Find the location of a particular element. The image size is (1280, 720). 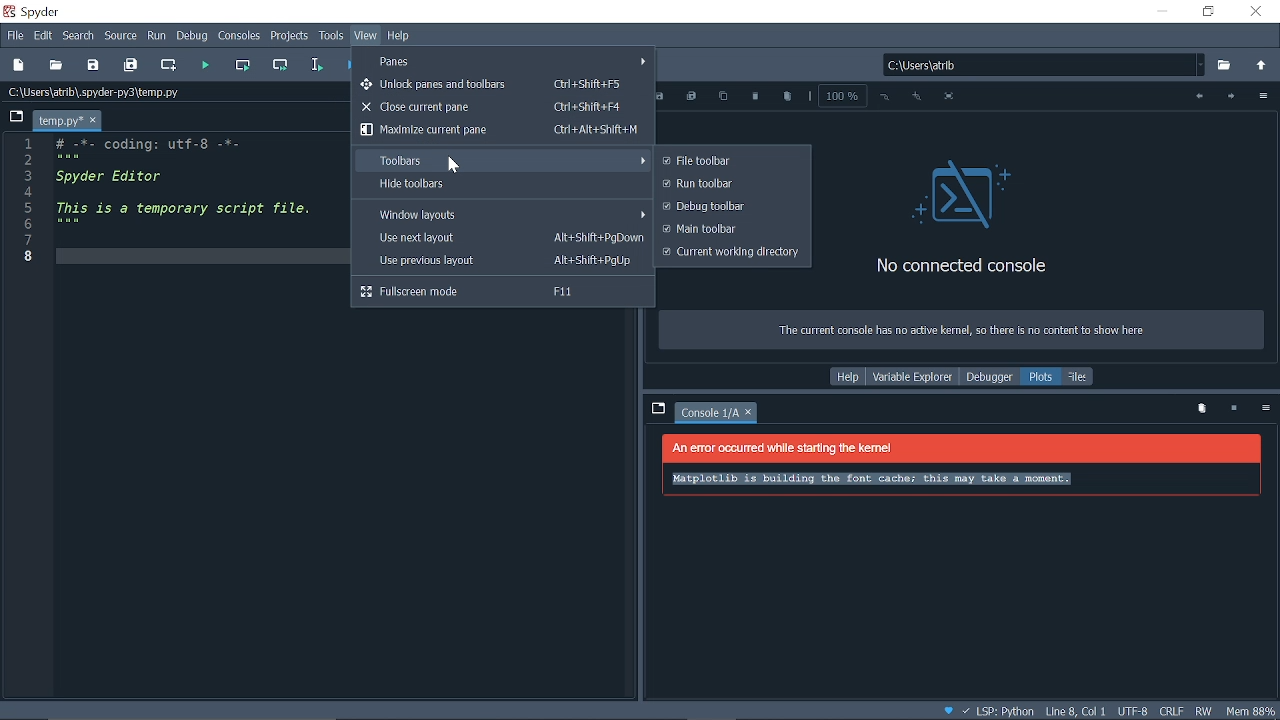

Run current cell is located at coordinates (246, 65).